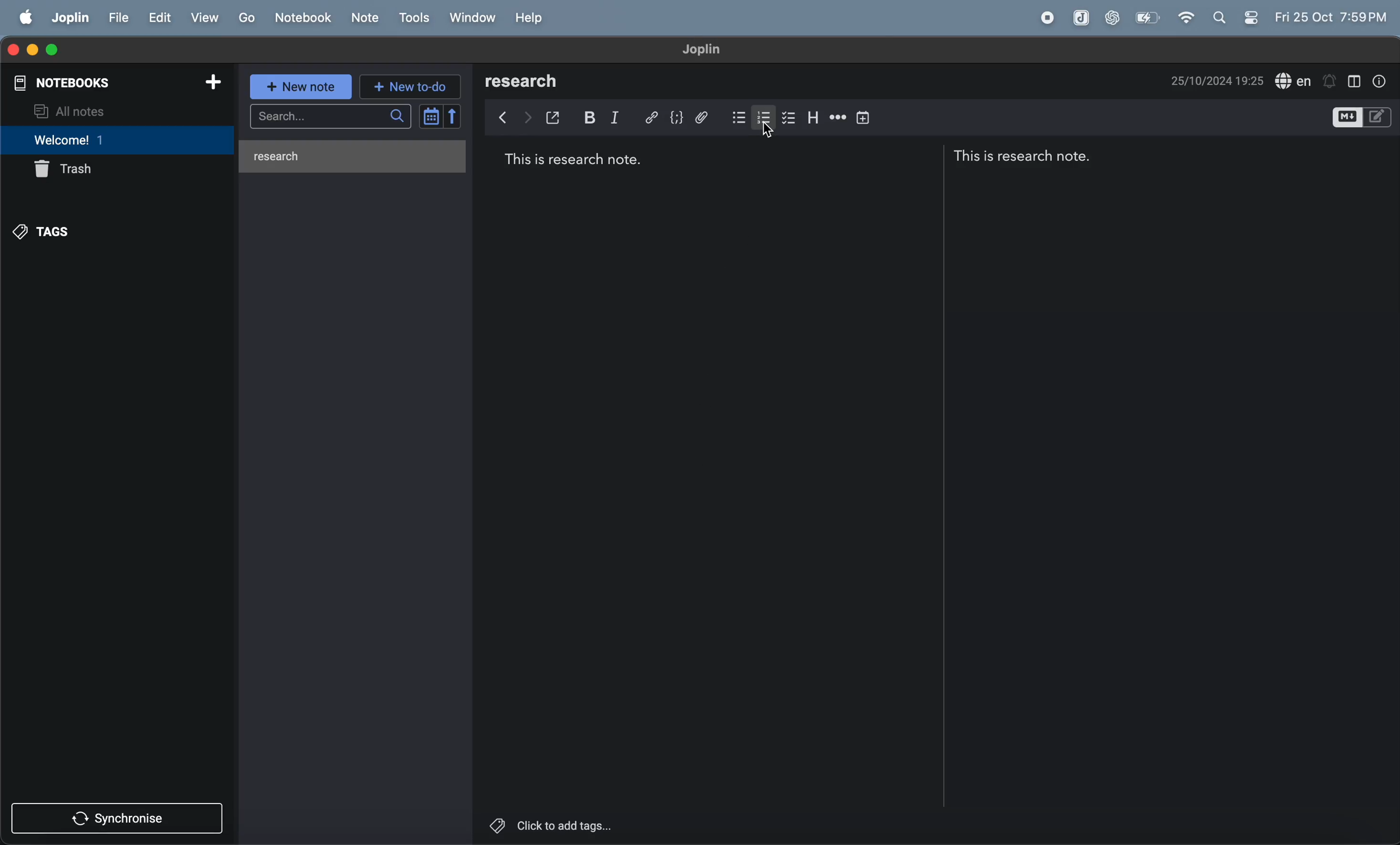 The image size is (1400, 845). Describe the element at coordinates (351, 156) in the screenshot. I see `research note` at that location.